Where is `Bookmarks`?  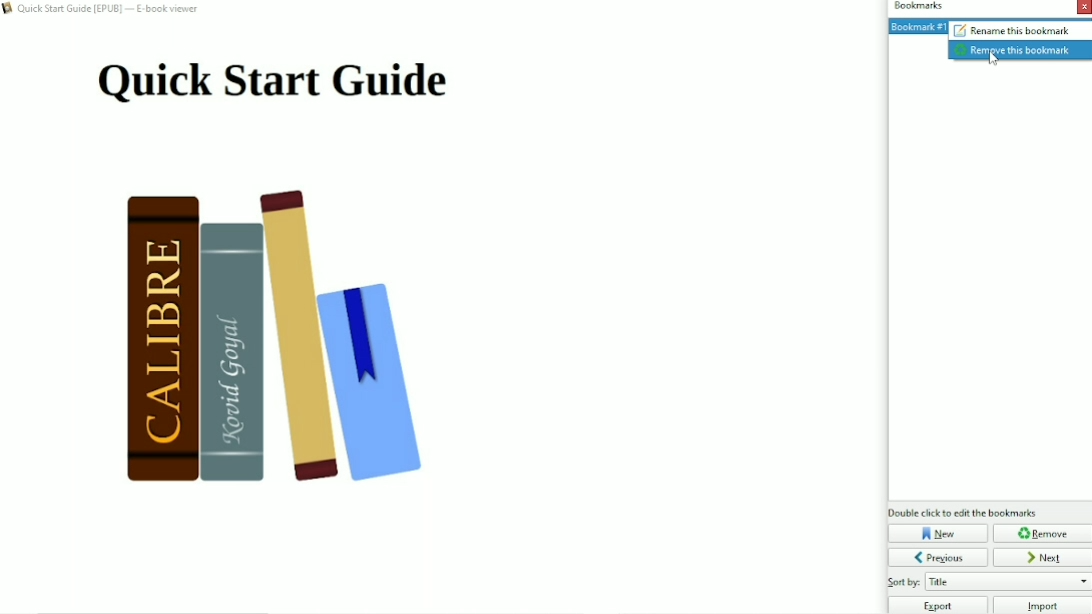
Bookmarks is located at coordinates (922, 7).